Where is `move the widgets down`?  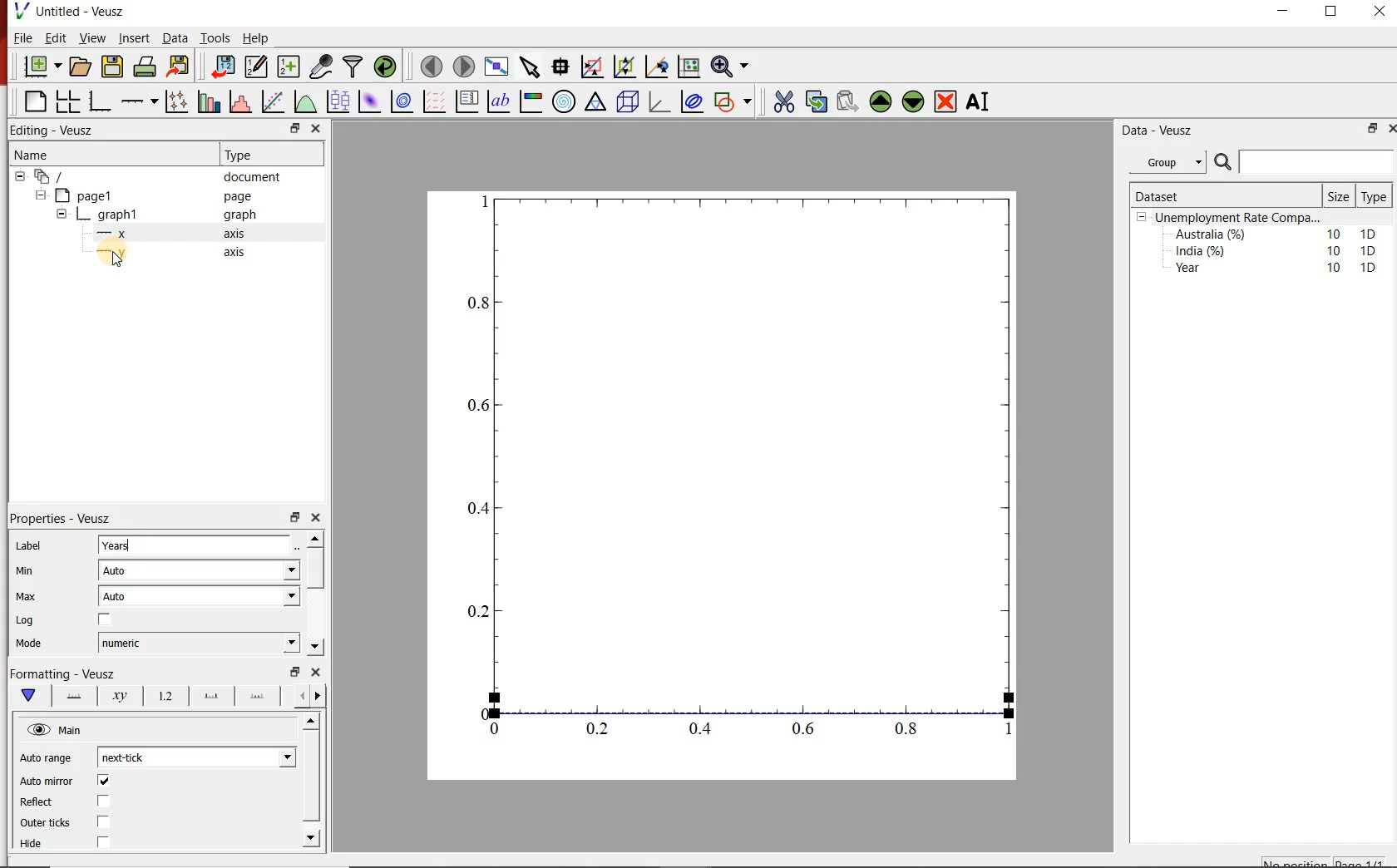
move the widgets down is located at coordinates (911, 101).